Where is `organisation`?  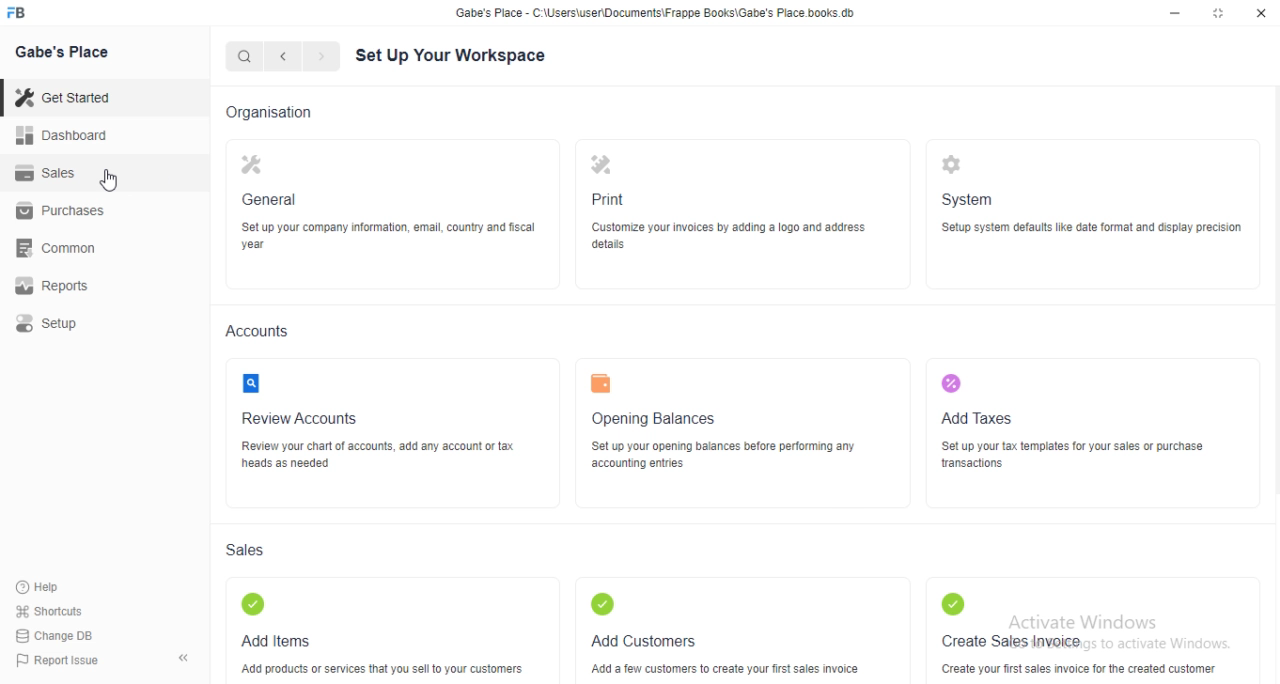 organisation is located at coordinates (269, 113).